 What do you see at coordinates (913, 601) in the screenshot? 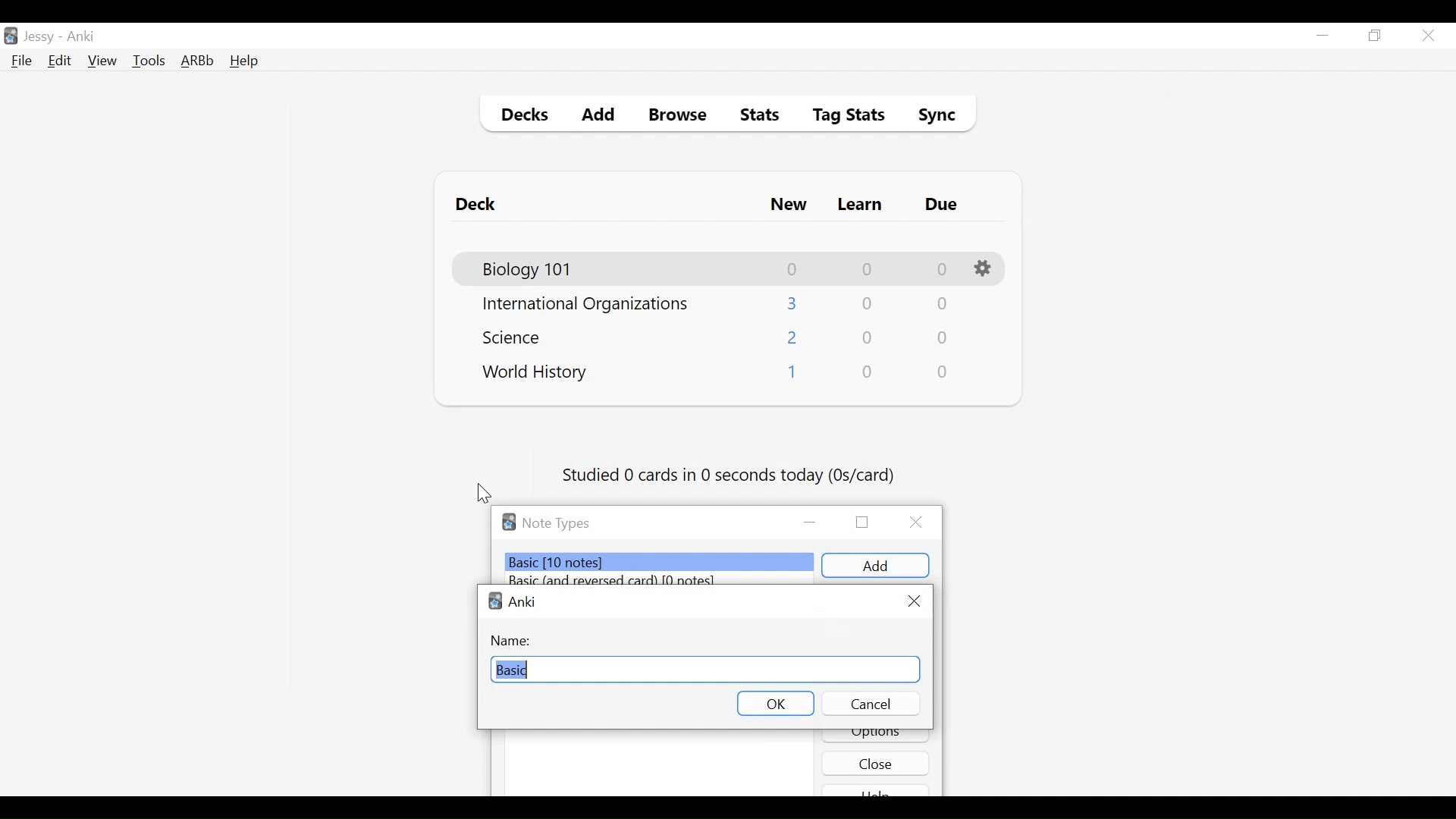
I see `Close` at bounding box center [913, 601].